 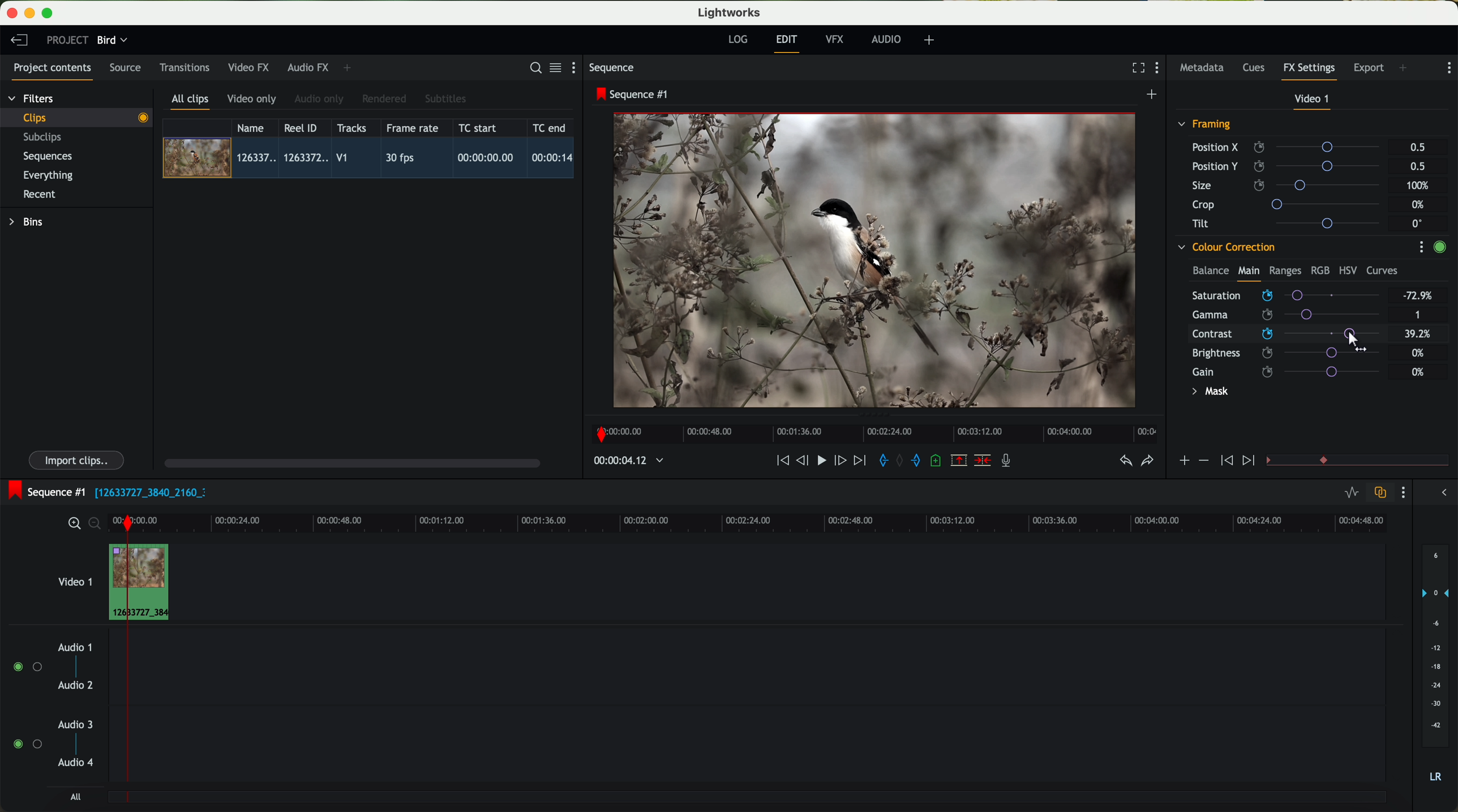 I want to click on move foward, so click(x=859, y=461).